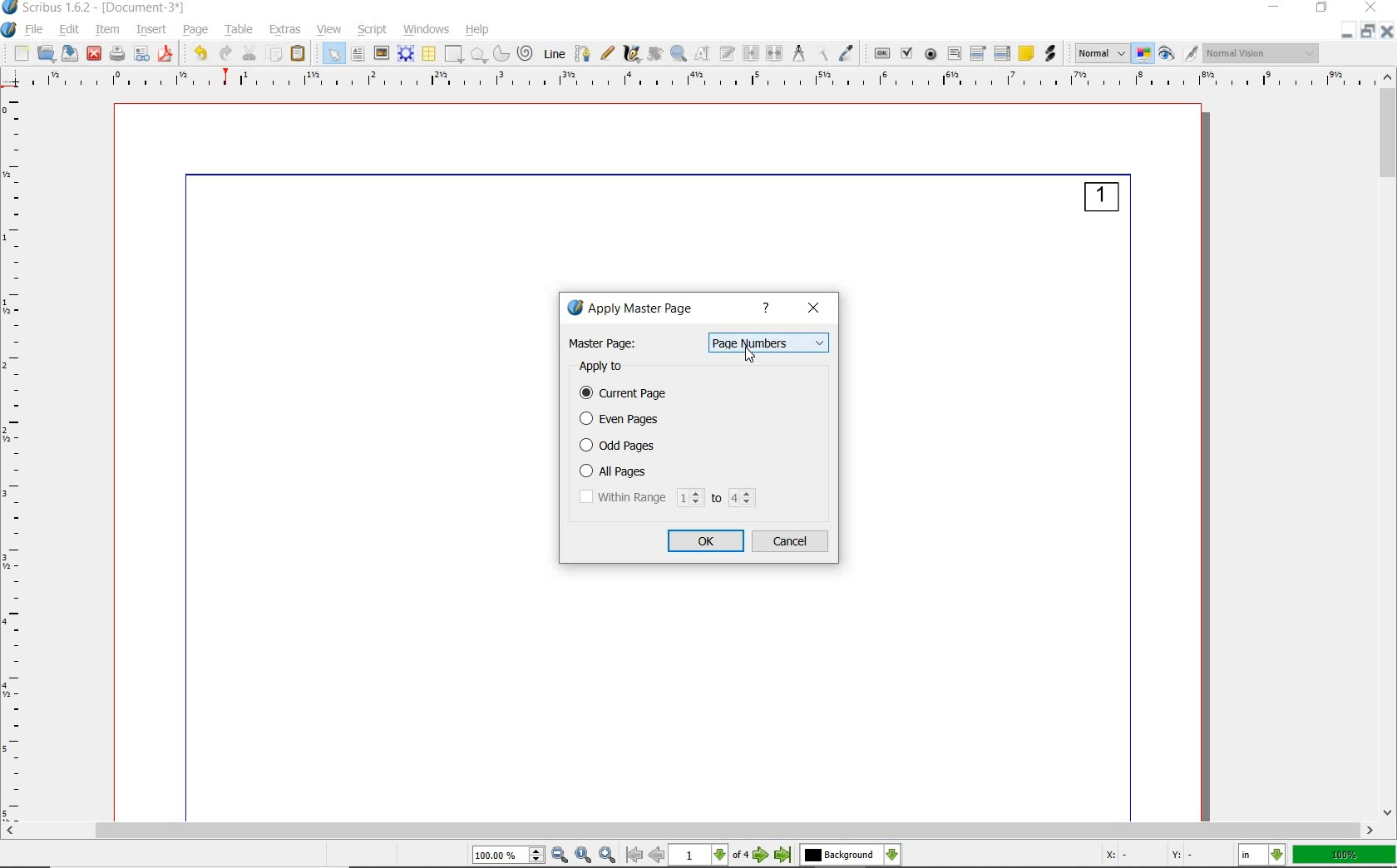 The image size is (1397, 868). What do you see at coordinates (151, 31) in the screenshot?
I see `insert` at bounding box center [151, 31].